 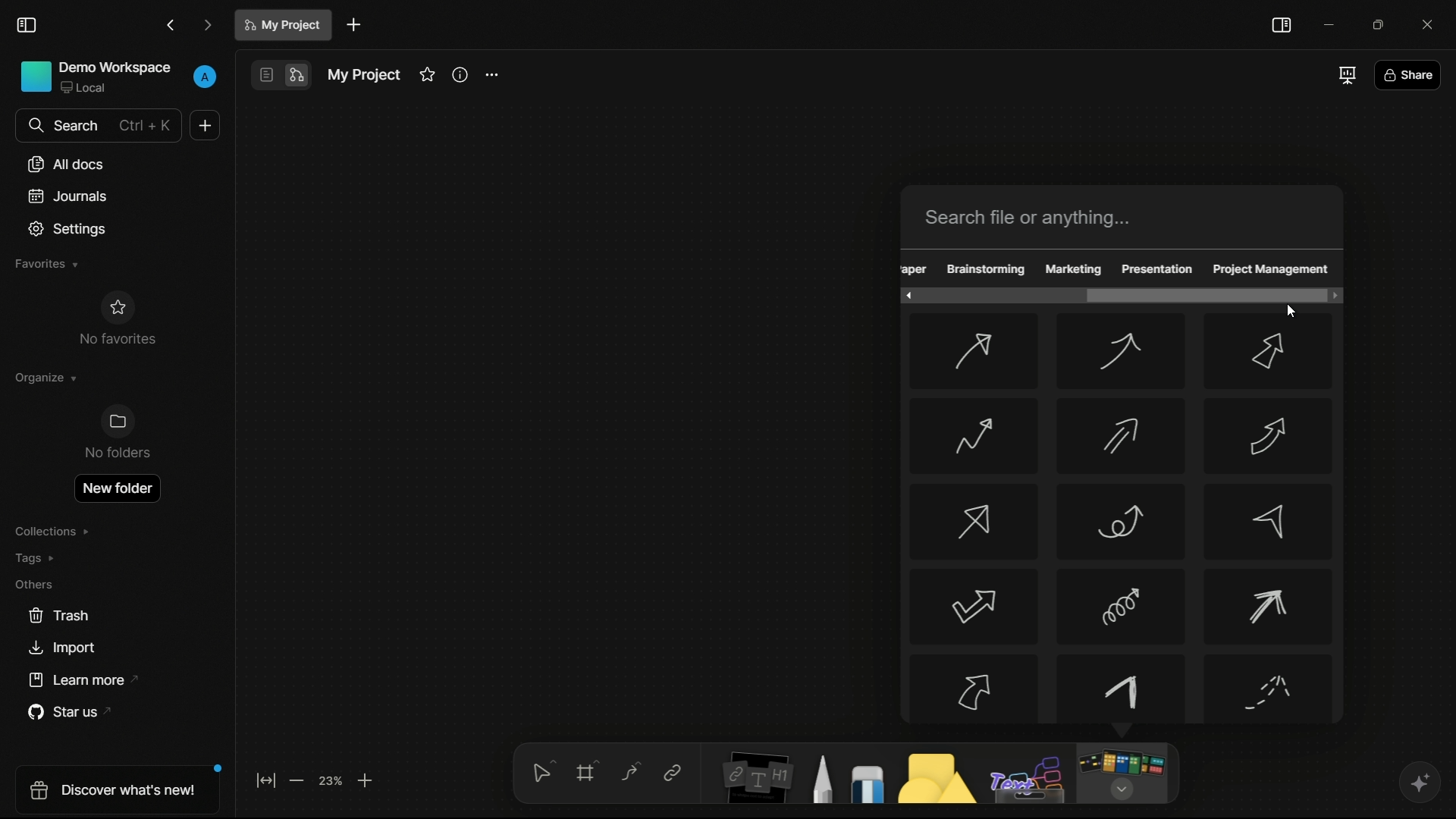 What do you see at coordinates (265, 780) in the screenshot?
I see `fit to screen` at bounding box center [265, 780].